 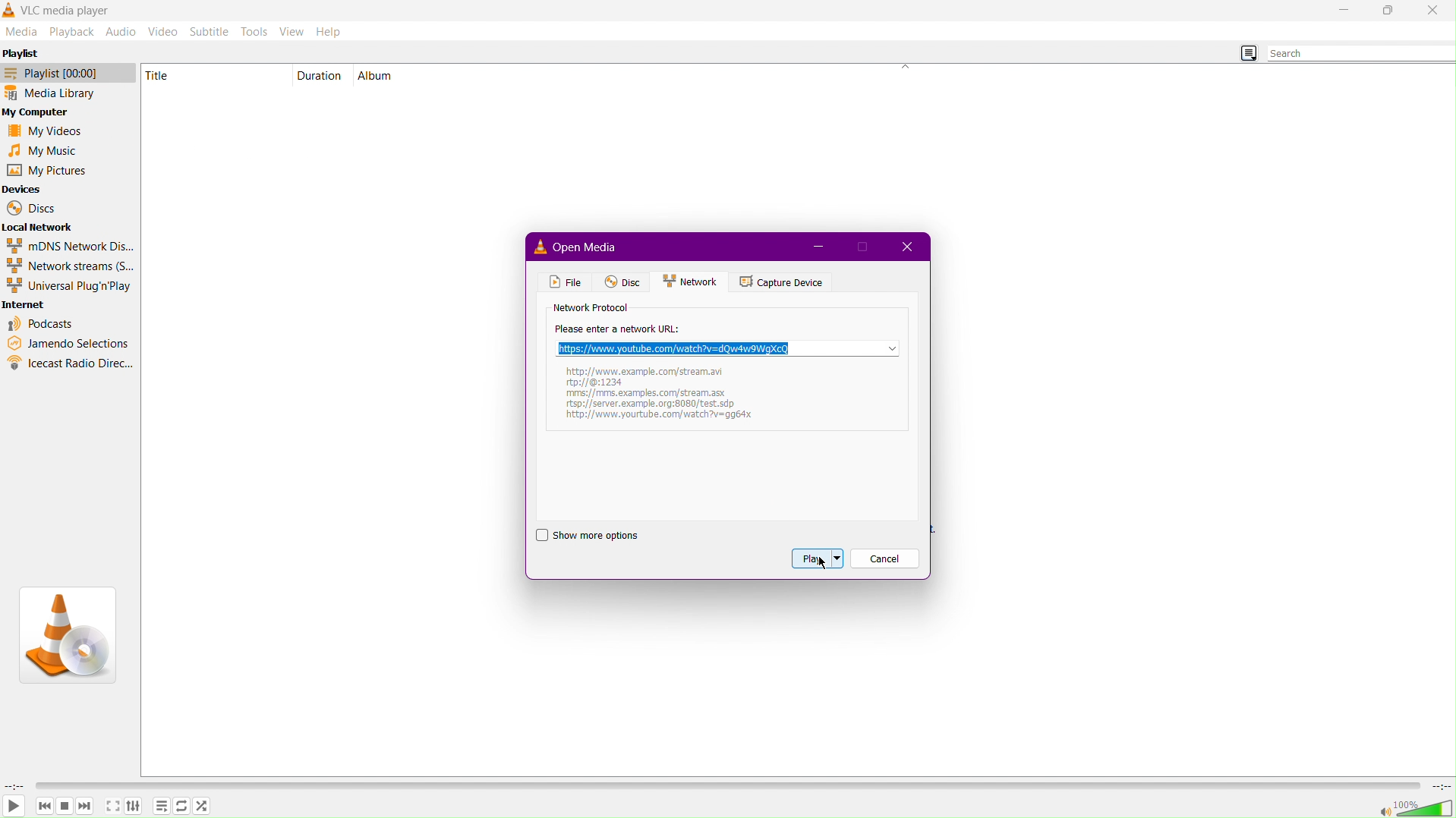 I want to click on checkbox, so click(x=540, y=536).